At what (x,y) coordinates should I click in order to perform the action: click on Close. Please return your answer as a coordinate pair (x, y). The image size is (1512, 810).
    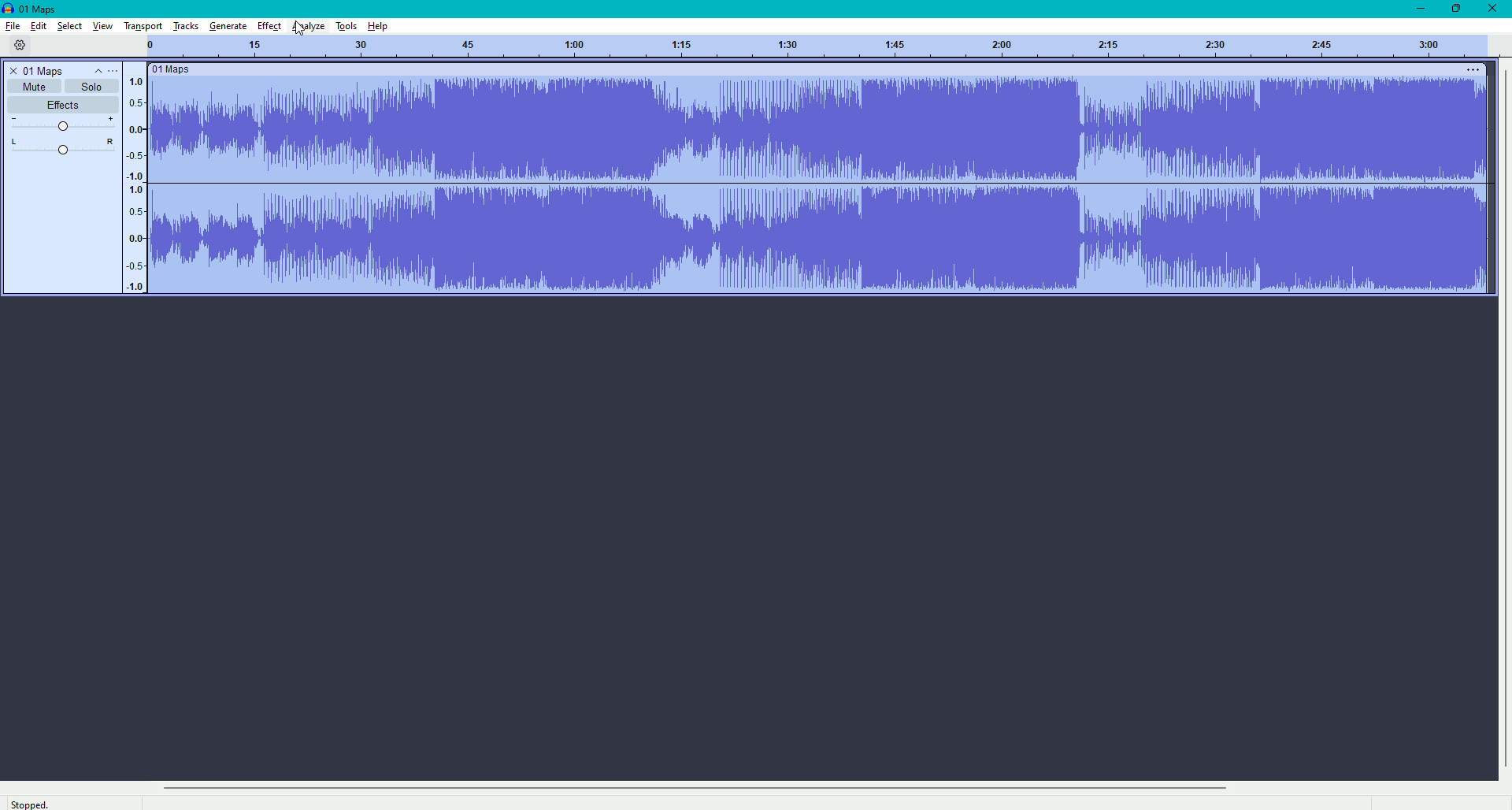
    Looking at the image, I should click on (1494, 9).